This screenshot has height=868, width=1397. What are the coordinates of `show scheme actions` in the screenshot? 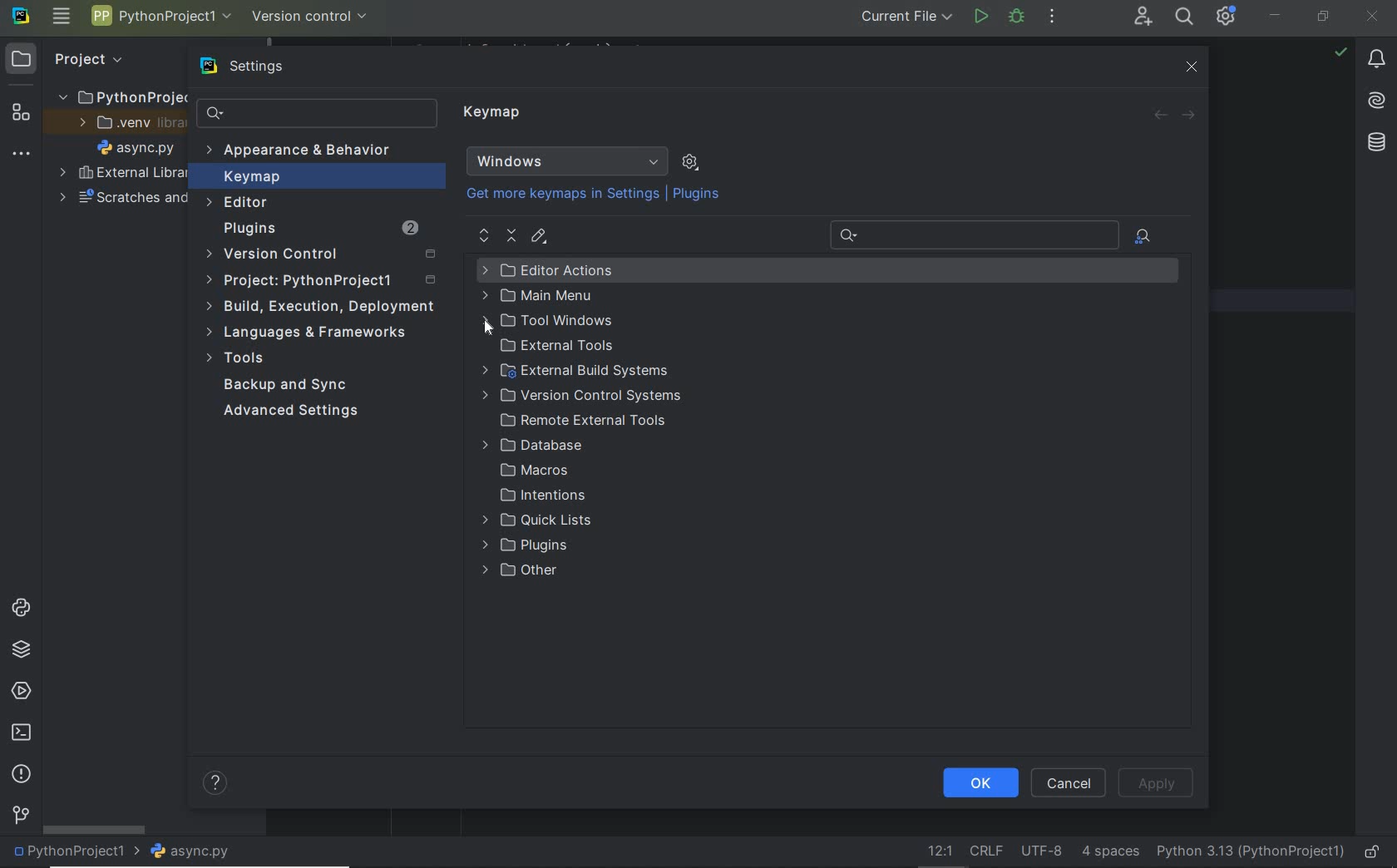 It's located at (690, 161).